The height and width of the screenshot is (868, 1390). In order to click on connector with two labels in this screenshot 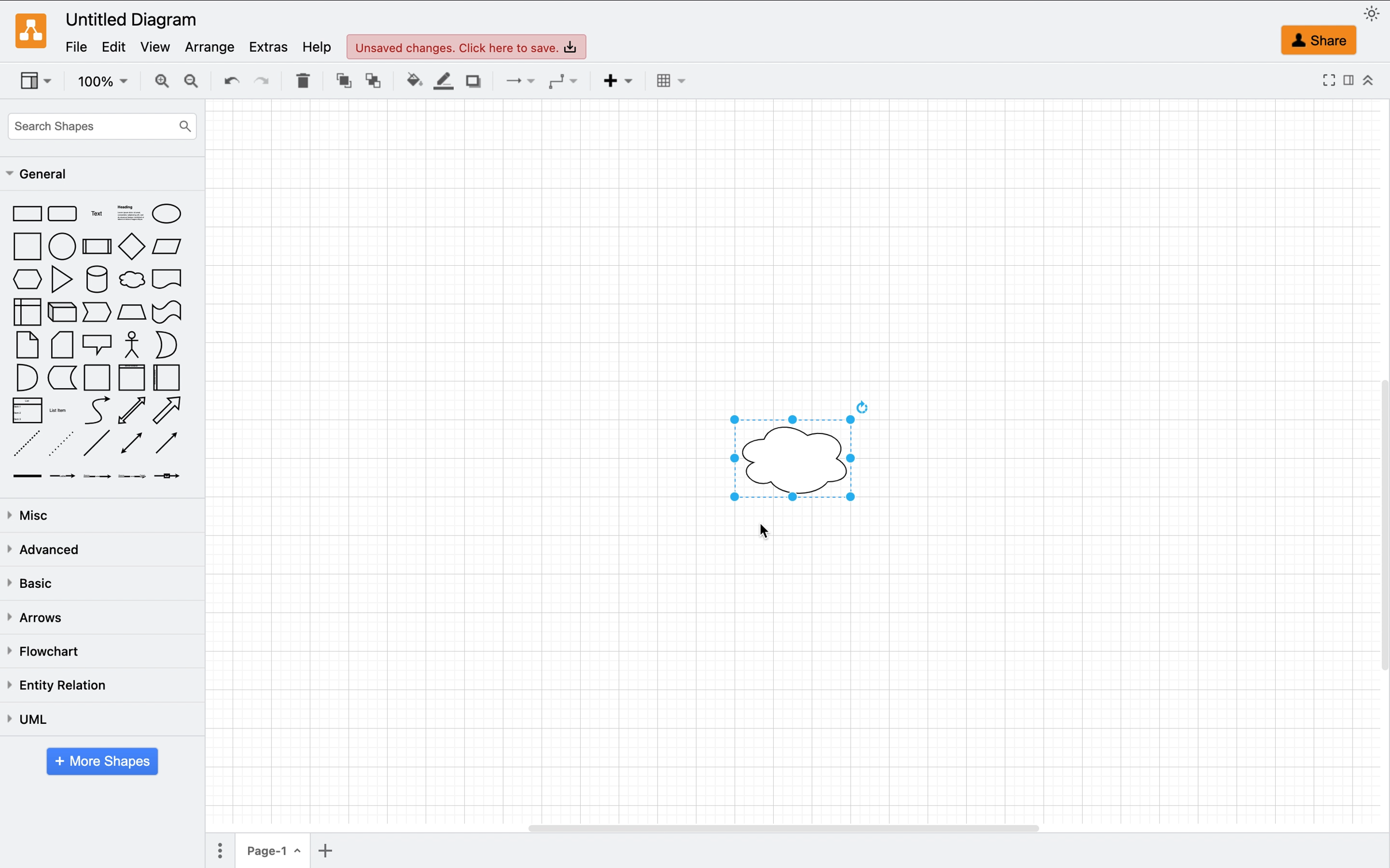, I will do `click(101, 475)`.